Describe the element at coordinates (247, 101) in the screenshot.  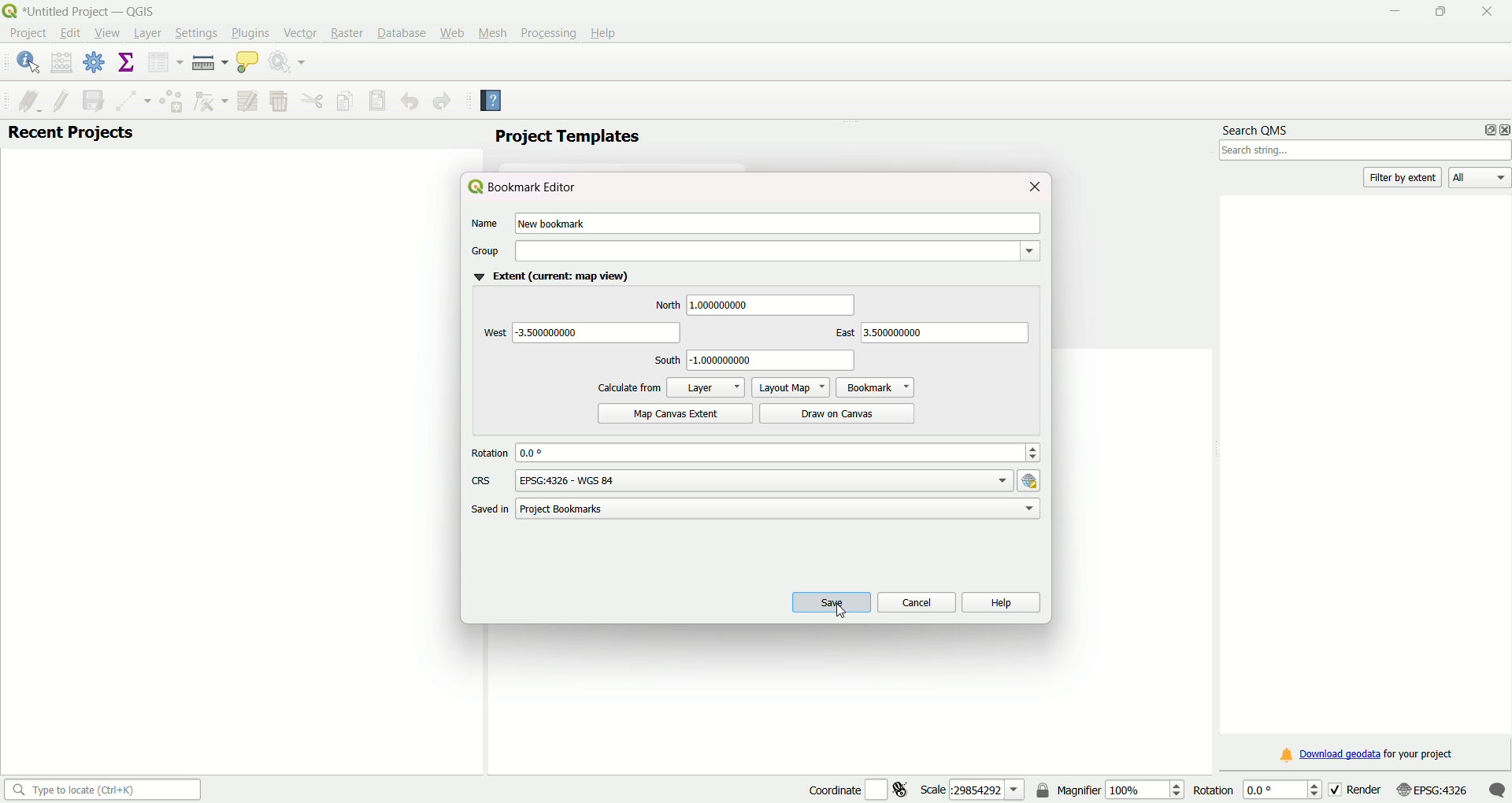
I see `modify attribute` at that location.